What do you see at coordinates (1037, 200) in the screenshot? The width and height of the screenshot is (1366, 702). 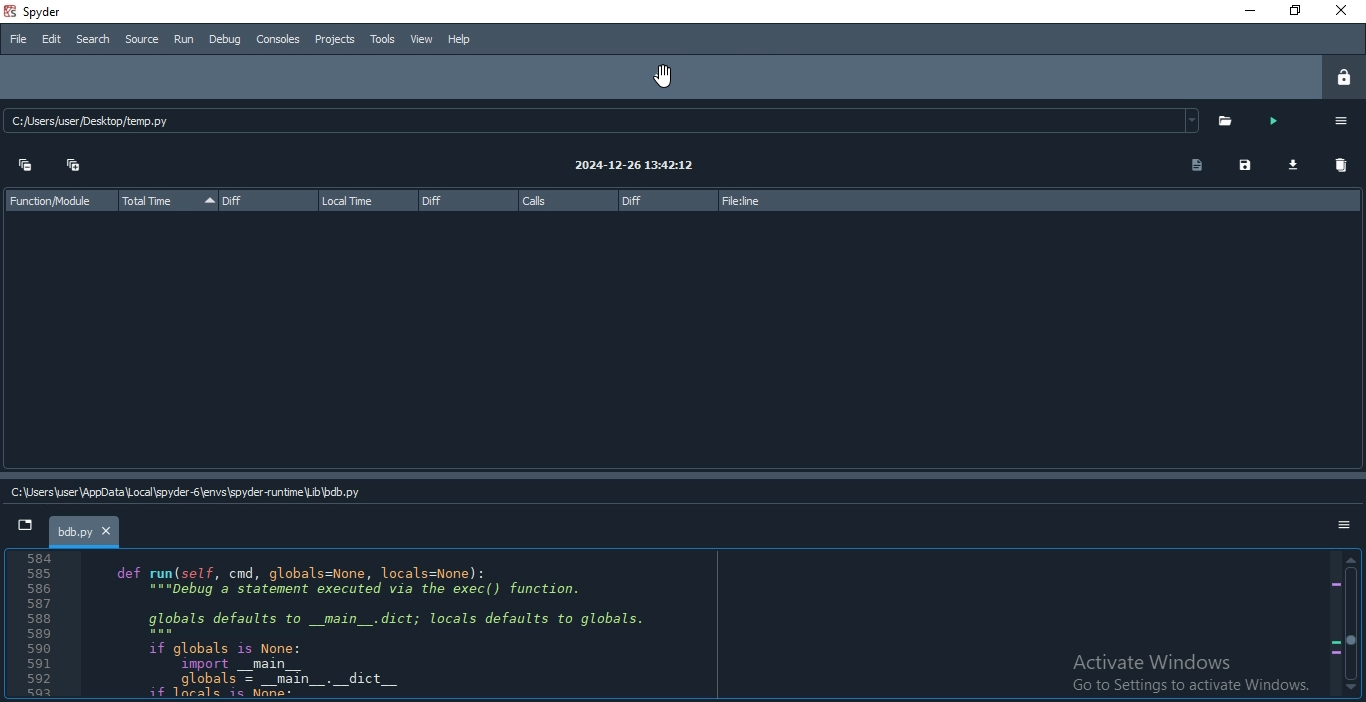 I see `file:line` at bounding box center [1037, 200].